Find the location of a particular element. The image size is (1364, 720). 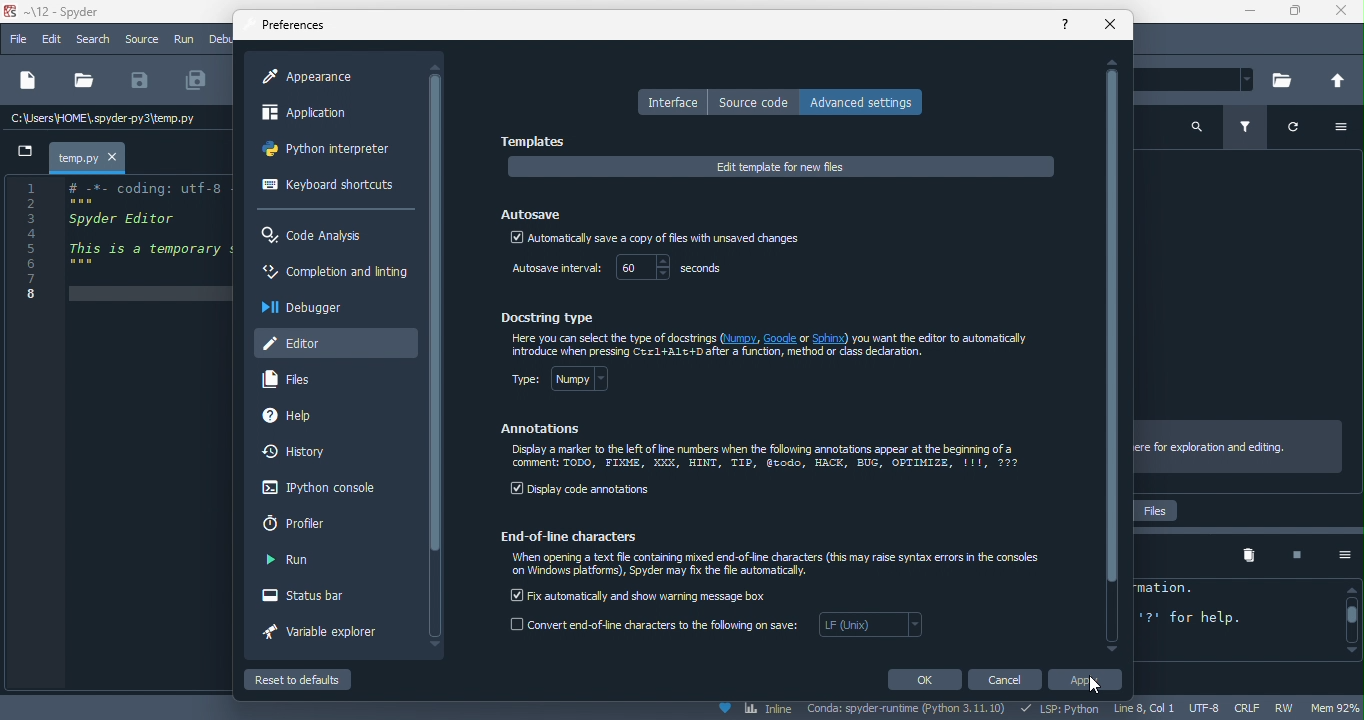

run is located at coordinates (185, 41).